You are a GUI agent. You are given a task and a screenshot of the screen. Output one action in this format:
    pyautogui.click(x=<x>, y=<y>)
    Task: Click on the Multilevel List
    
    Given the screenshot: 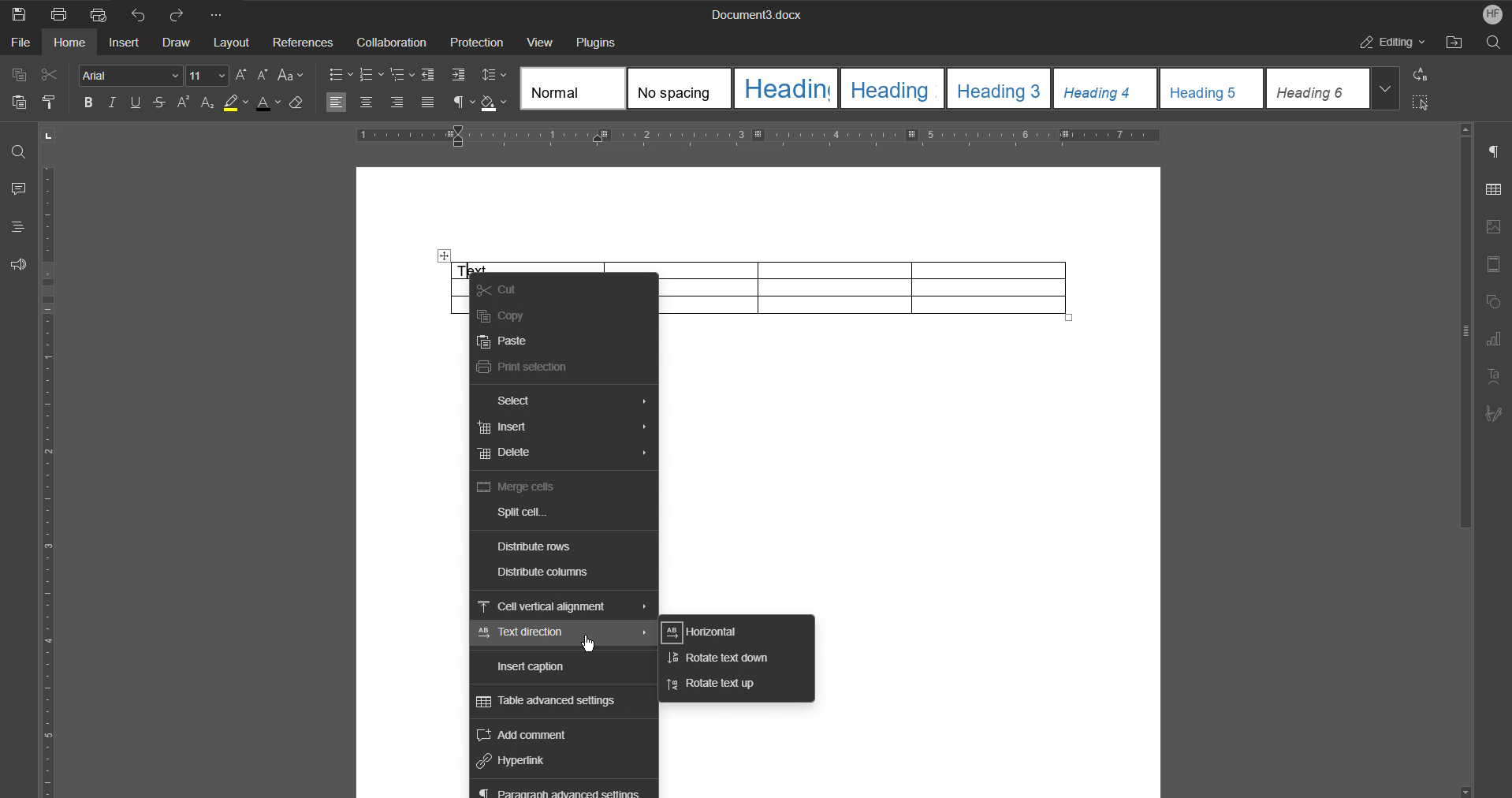 What is the action you would take?
    pyautogui.click(x=402, y=76)
    